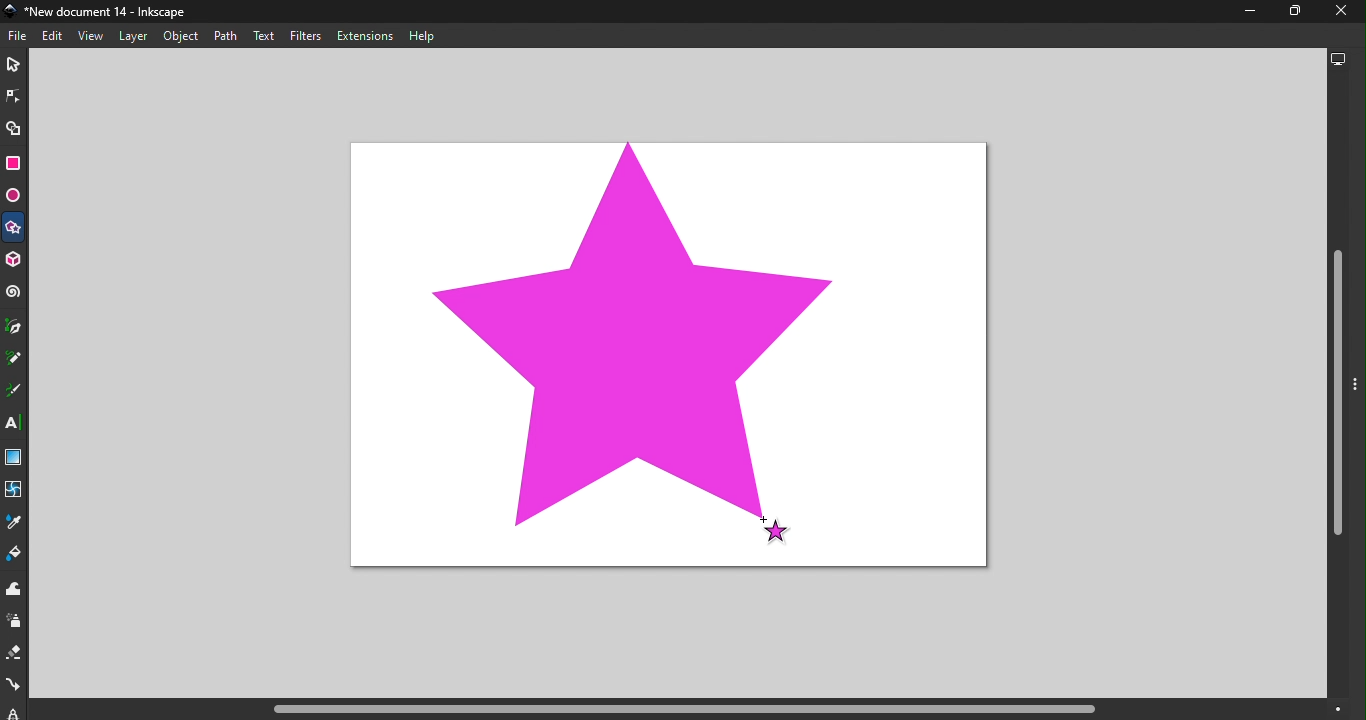 This screenshot has width=1366, height=720. What do you see at coordinates (14, 230) in the screenshot?
I see `Star/Polygon` at bounding box center [14, 230].